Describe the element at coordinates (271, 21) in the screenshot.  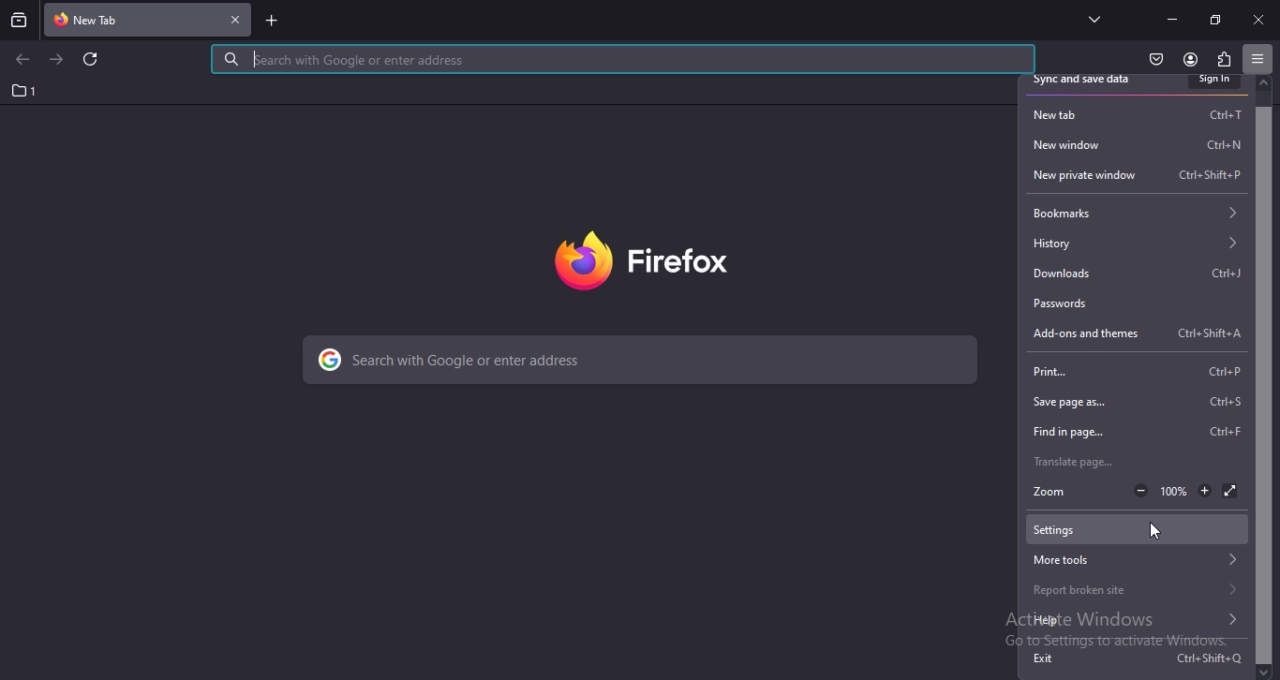
I see `new tab` at that location.